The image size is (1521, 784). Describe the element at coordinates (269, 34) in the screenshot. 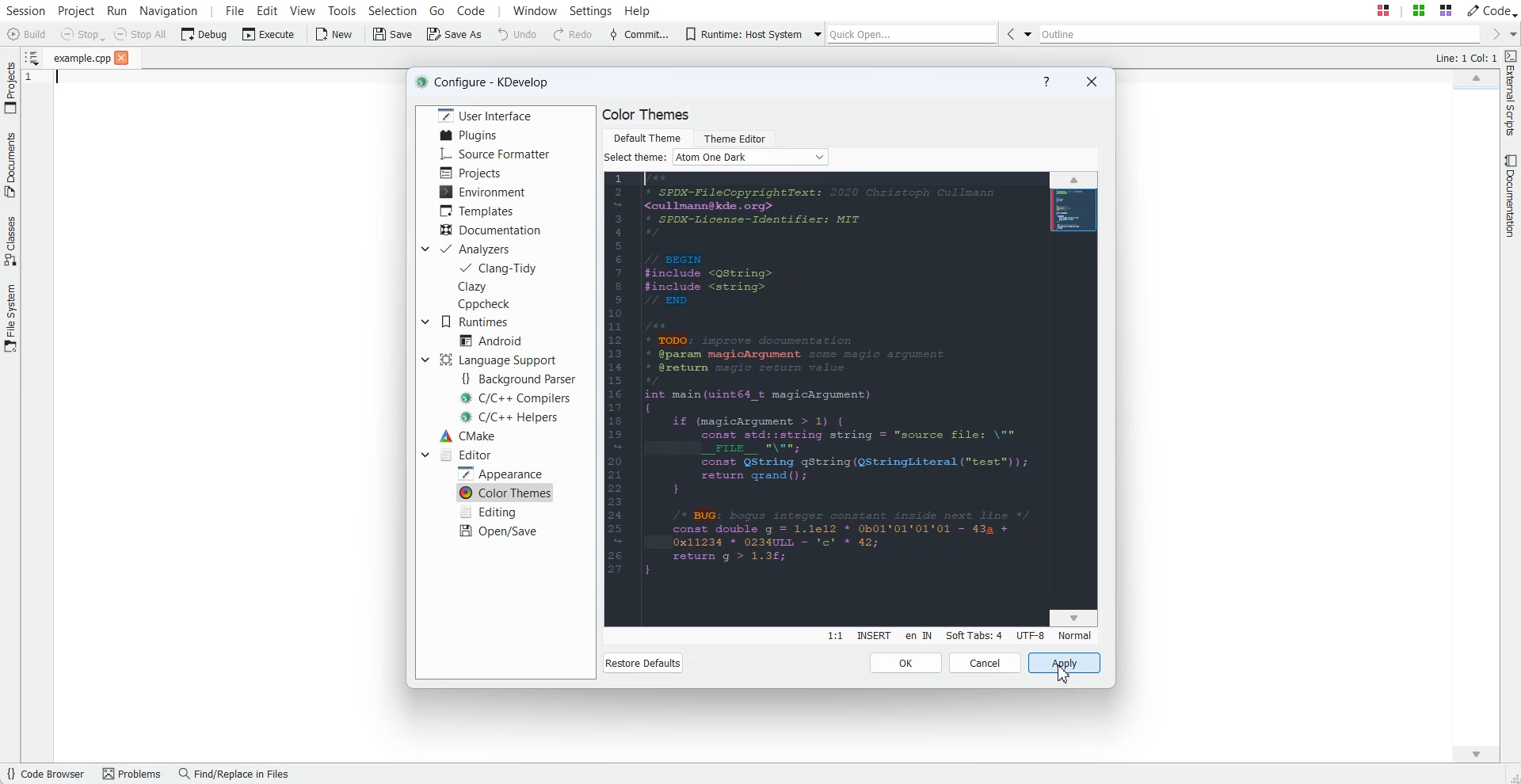

I see `Execute` at that location.